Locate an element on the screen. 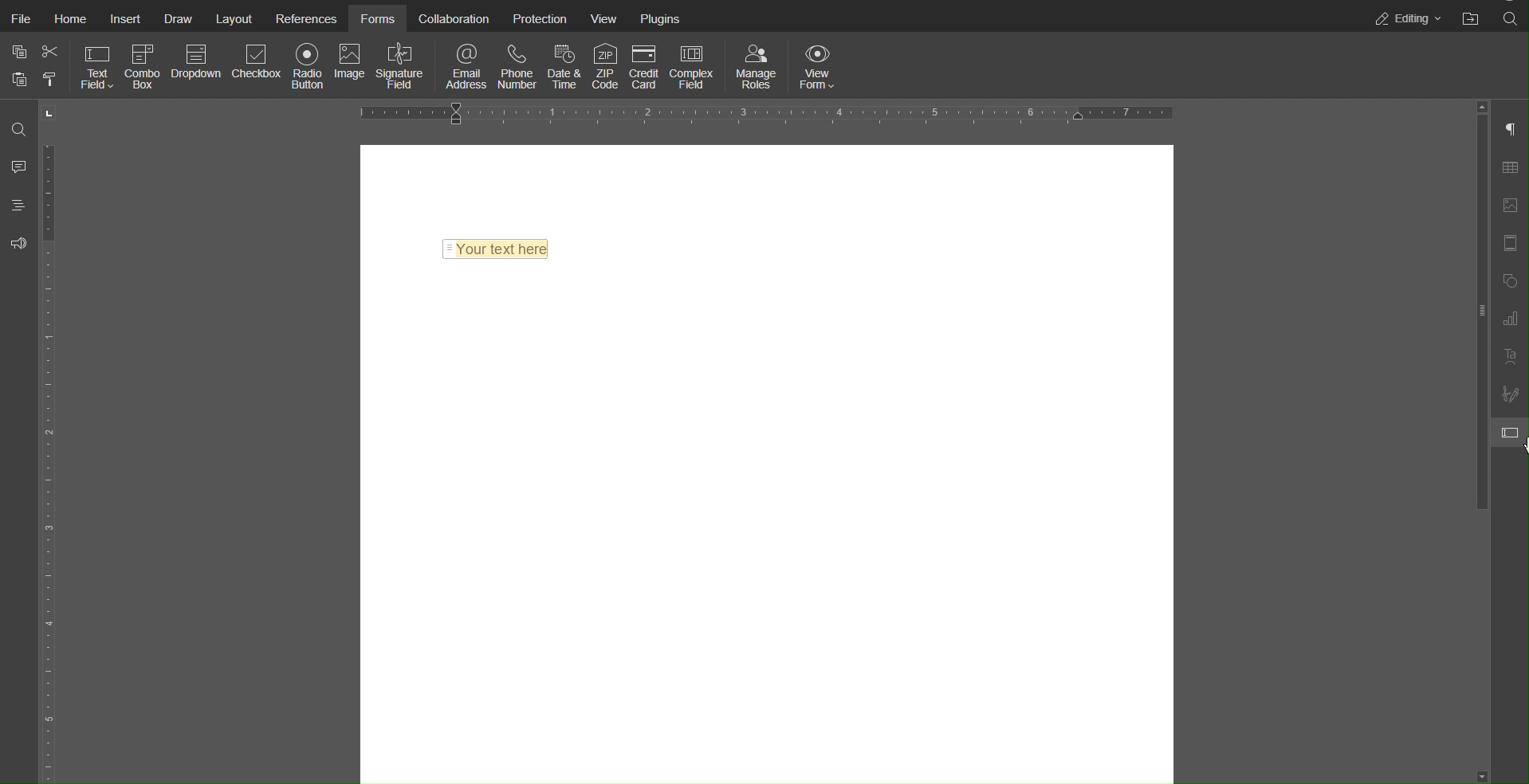 The height and width of the screenshot is (784, 1529). Phone Number is located at coordinates (517, 66).